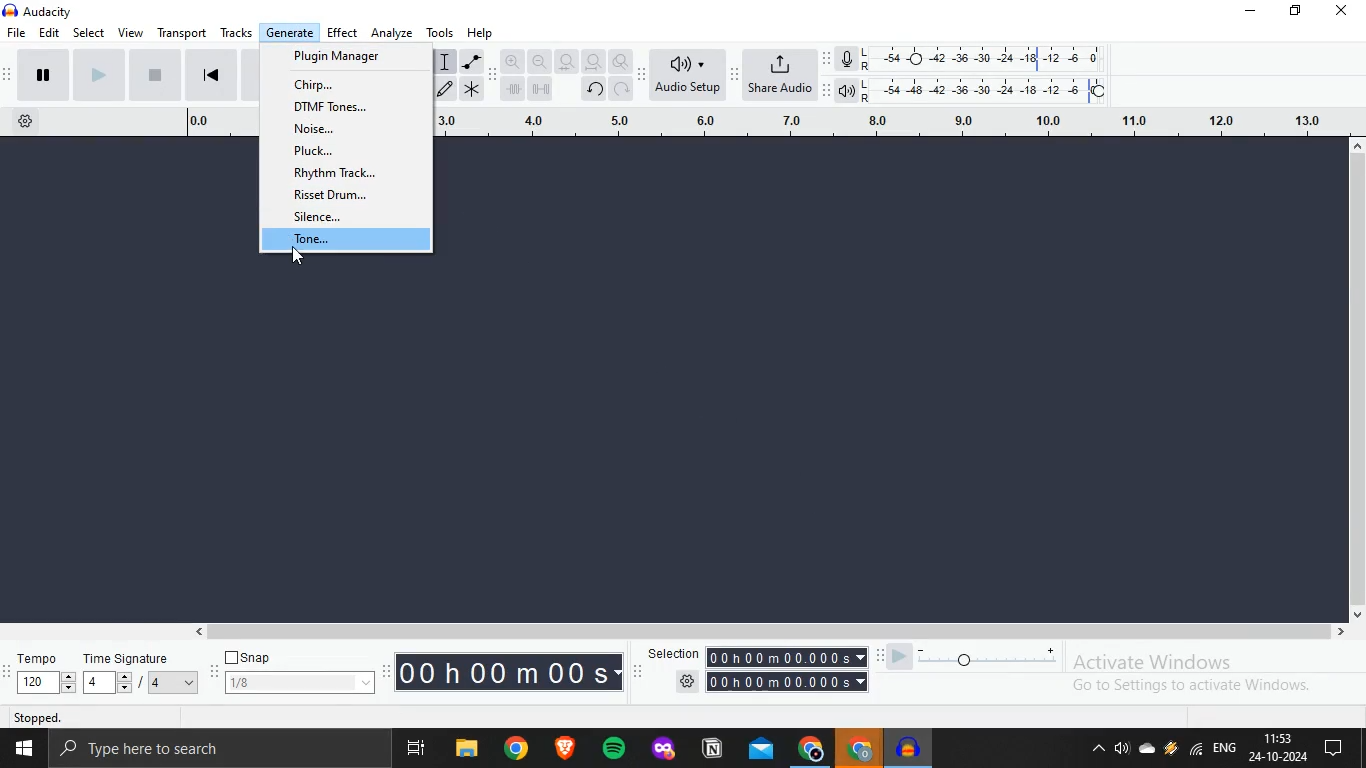 Image resolution: width=1366 pixels, height=768 pixels. What do you see at coordinates (1343, 749) in the screenshot?
I see `Chat` at bounding box center [1343, 749].